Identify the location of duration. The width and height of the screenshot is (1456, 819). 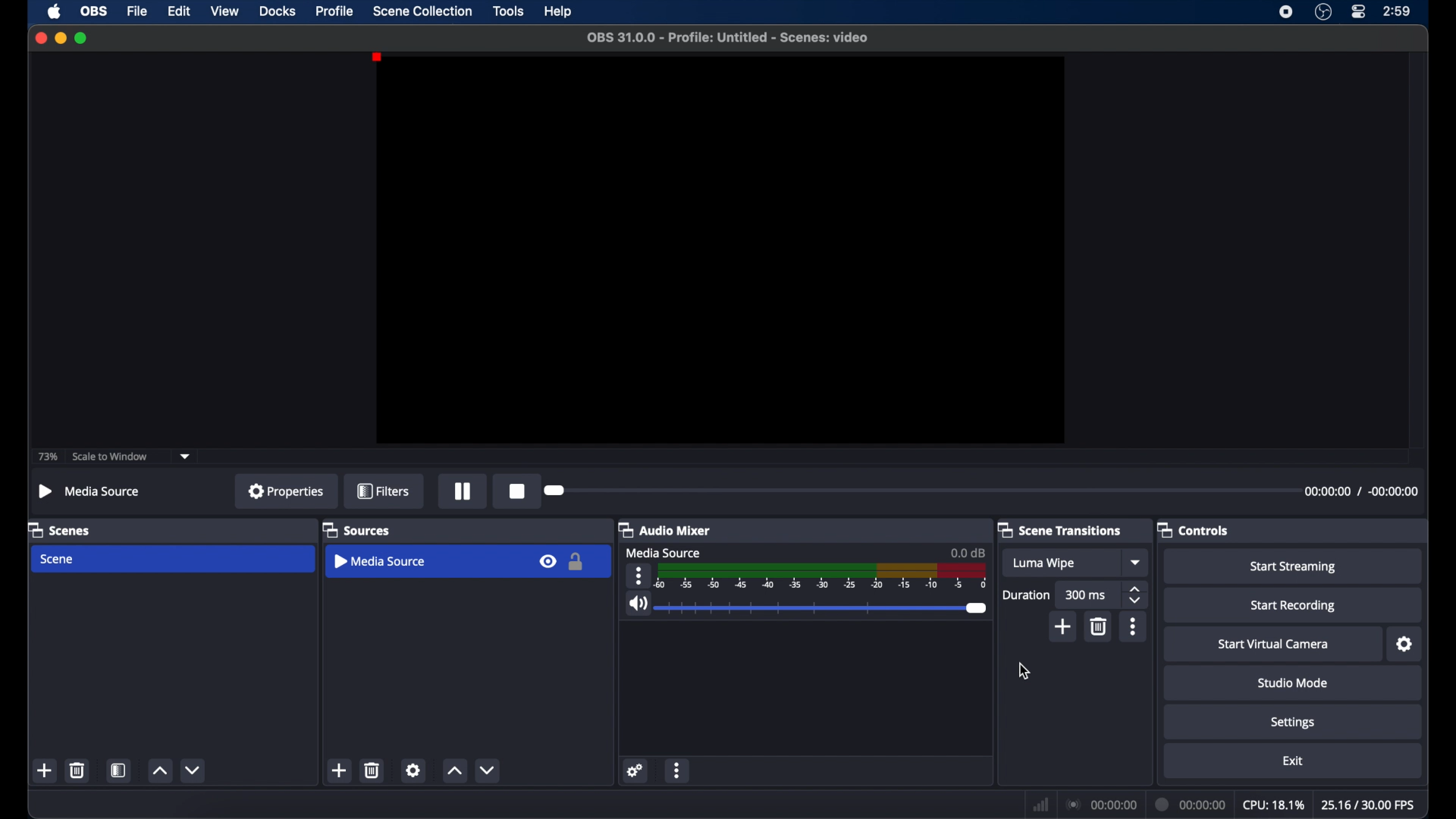
(1191, 805).